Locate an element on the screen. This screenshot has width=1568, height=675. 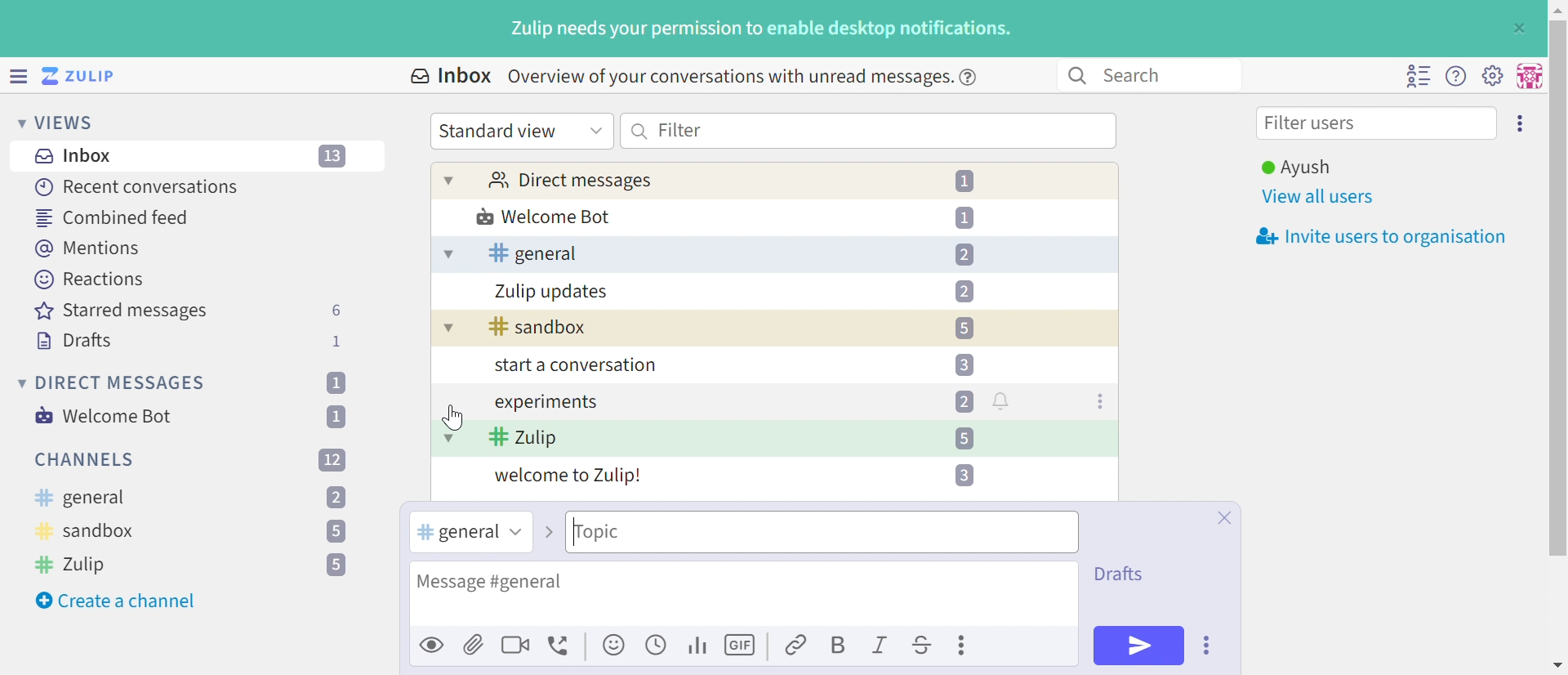
5 is located at coordinates (963, 438).